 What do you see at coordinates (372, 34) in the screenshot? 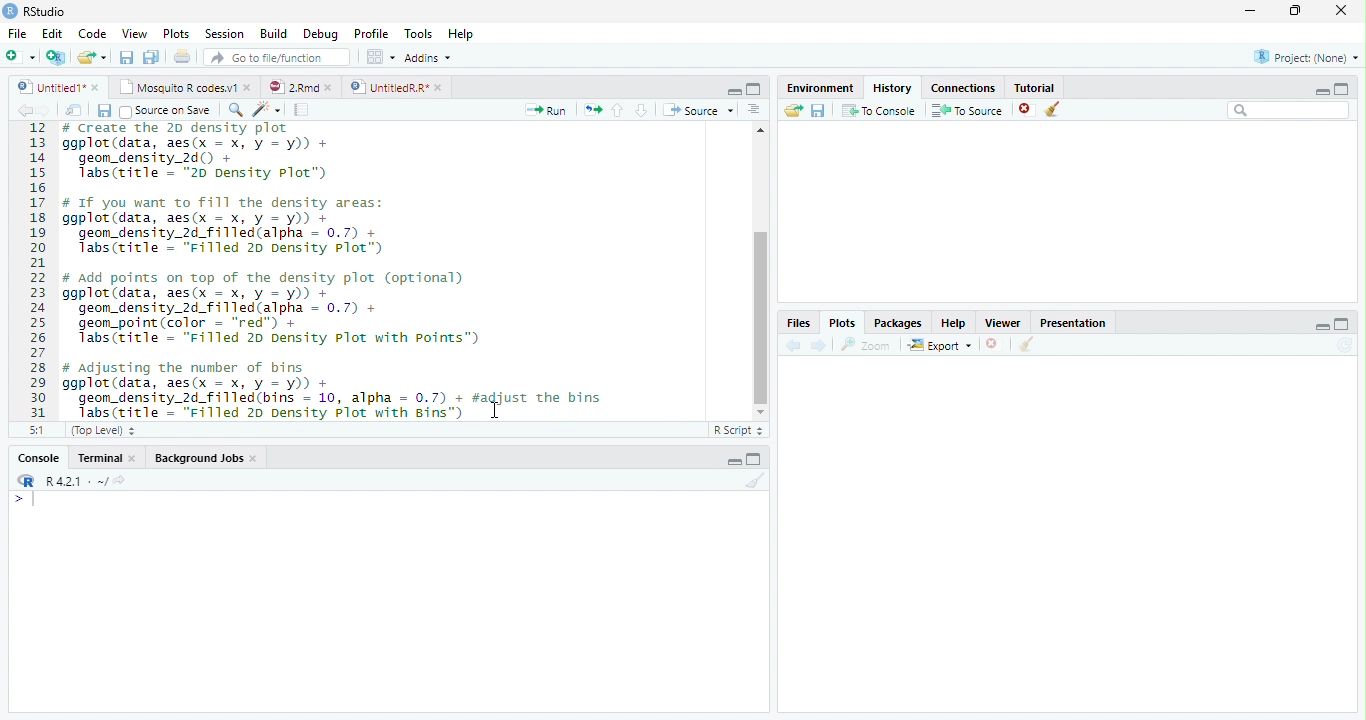
I see `Profile` at bounding box center [372, 34].